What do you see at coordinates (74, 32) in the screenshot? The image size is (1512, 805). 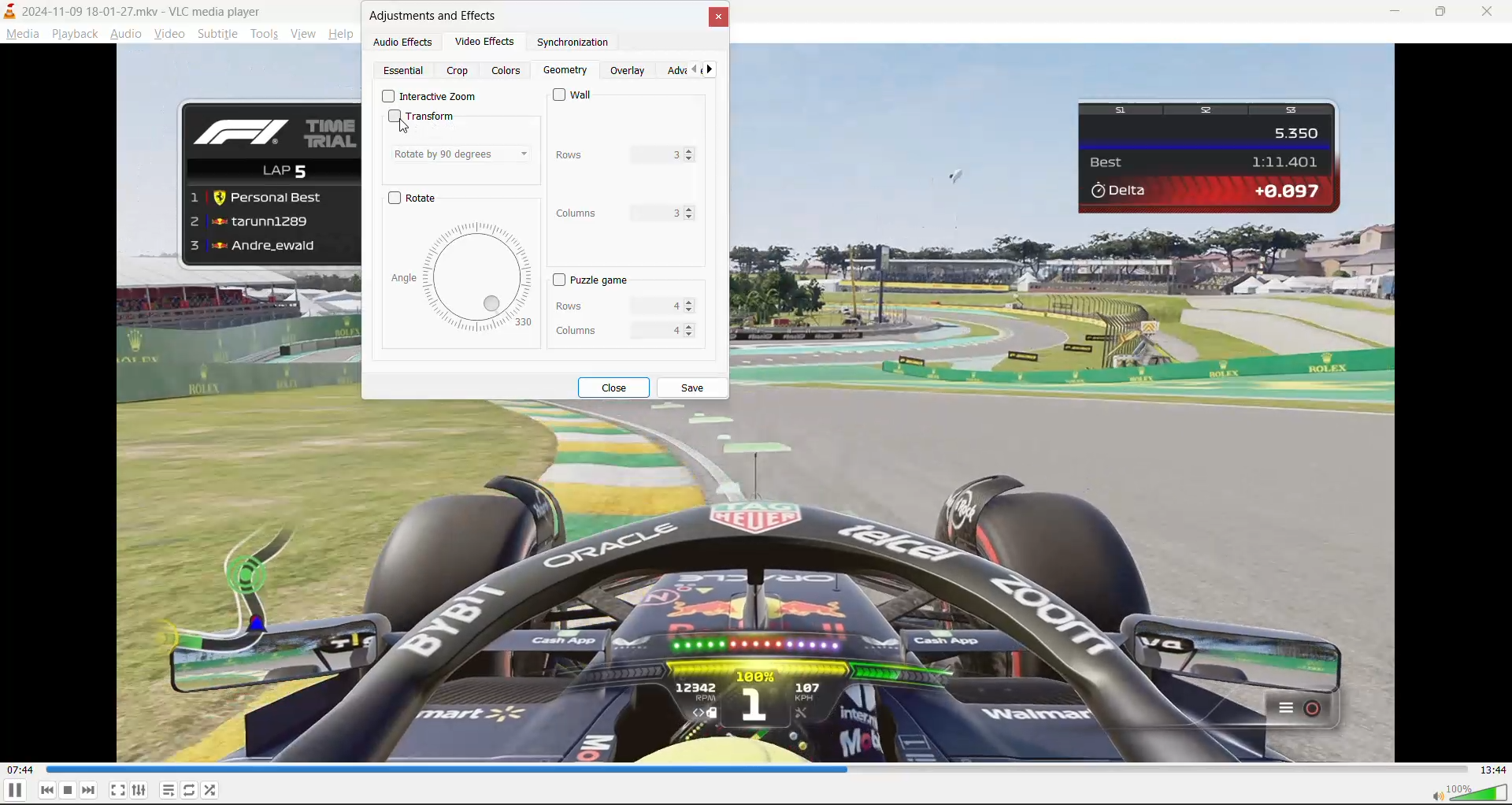 I see `playback` at bounding box center [74, 32].